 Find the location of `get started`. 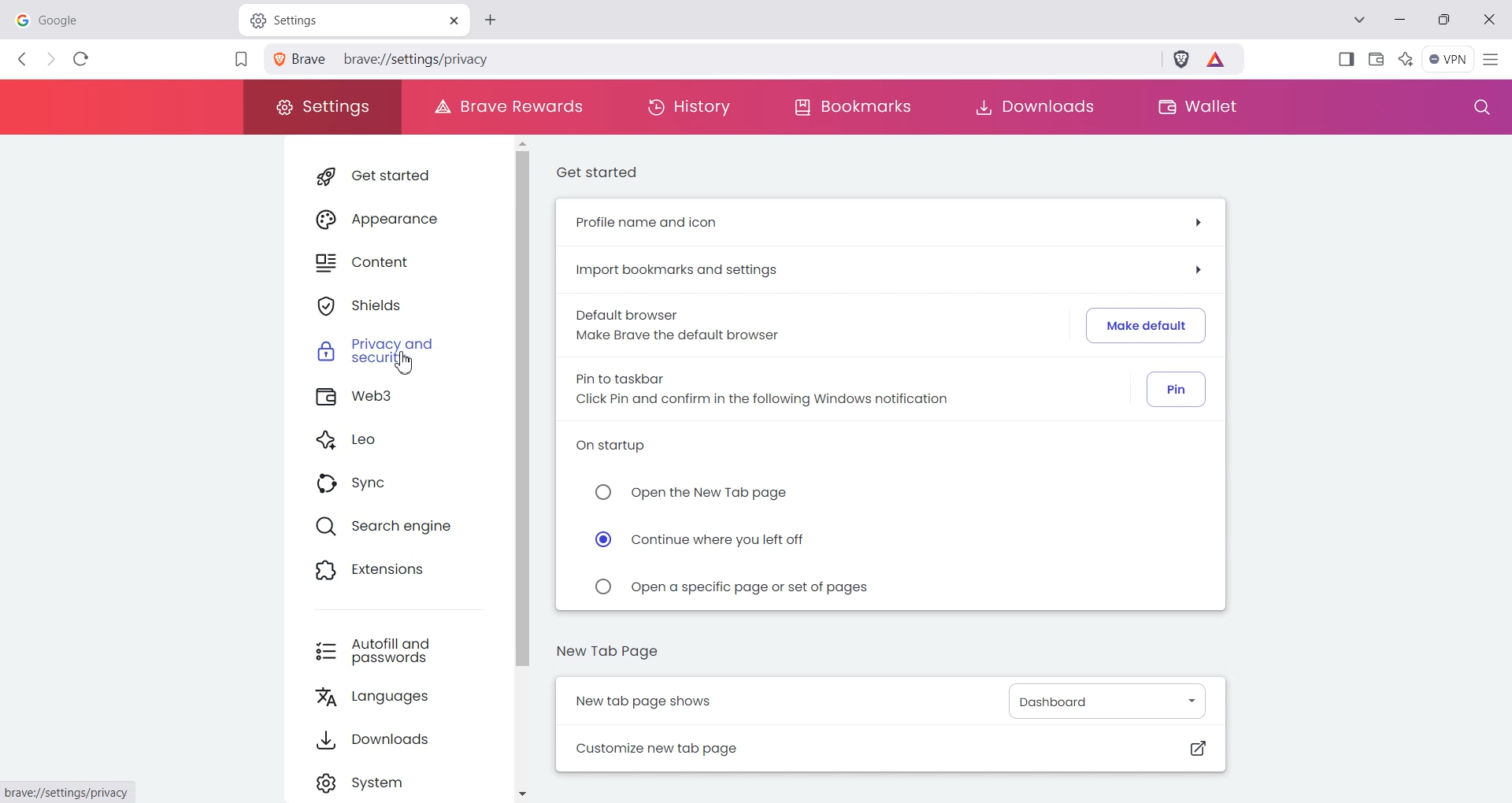

get started is located at coordinates (602, 174).